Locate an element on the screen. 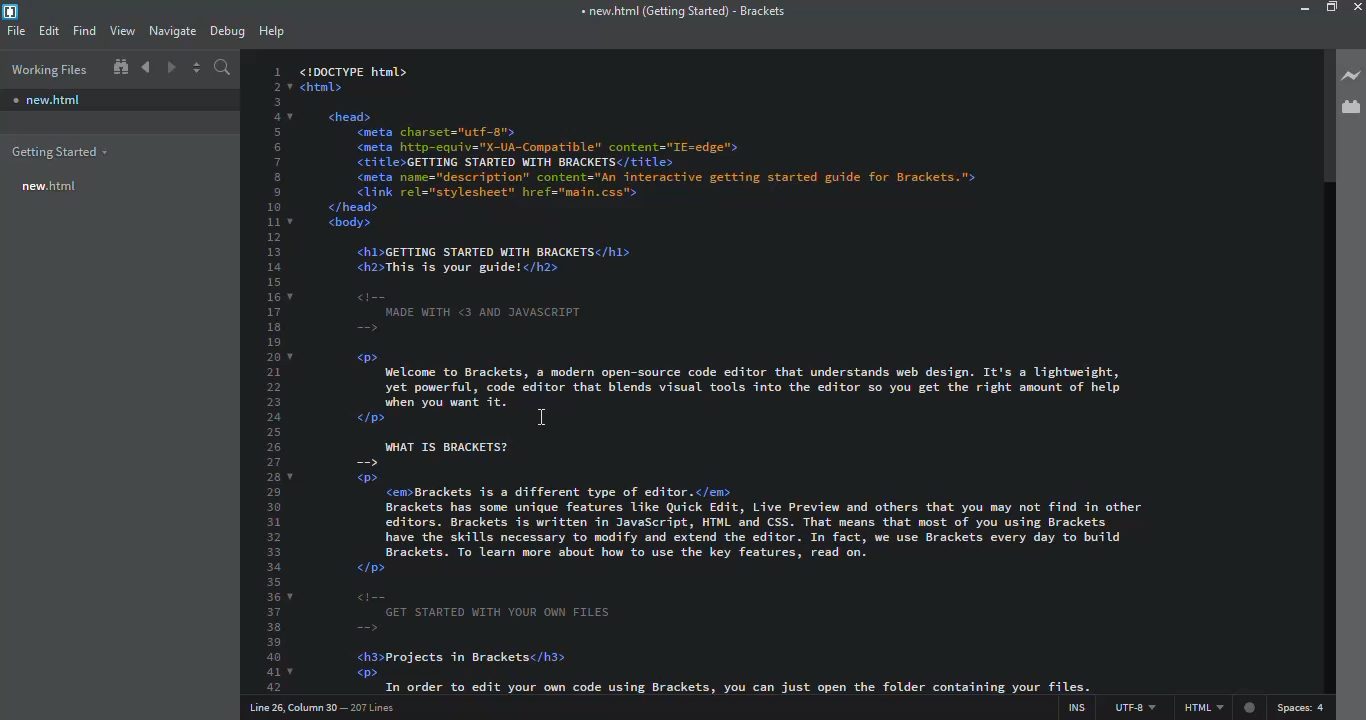  new is located at coordinates (50, 98).